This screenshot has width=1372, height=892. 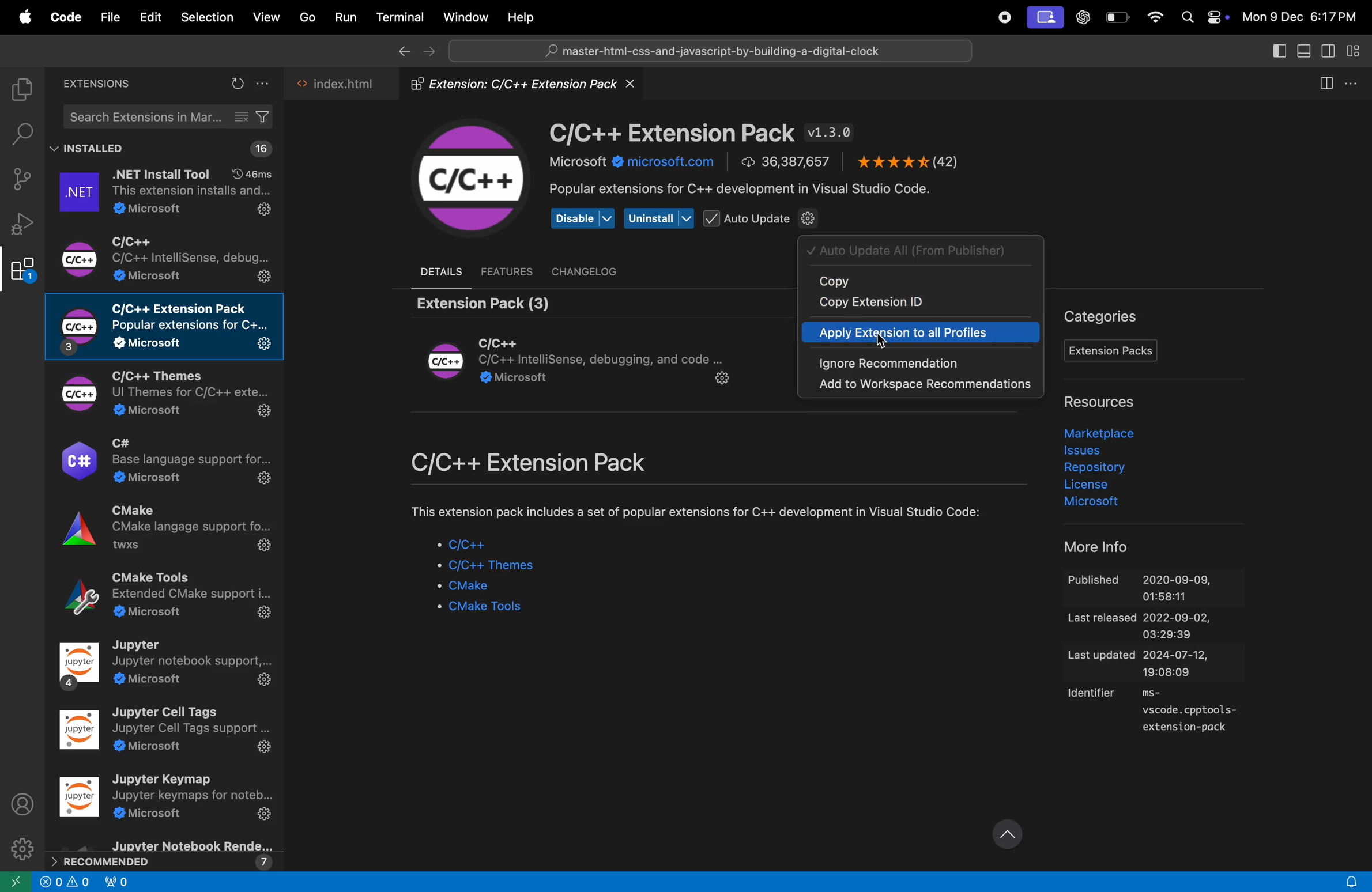 What do you see at coordinates (163, 194) in the screenshot?
I see `.net extensions` at bounding box center [163, 194].